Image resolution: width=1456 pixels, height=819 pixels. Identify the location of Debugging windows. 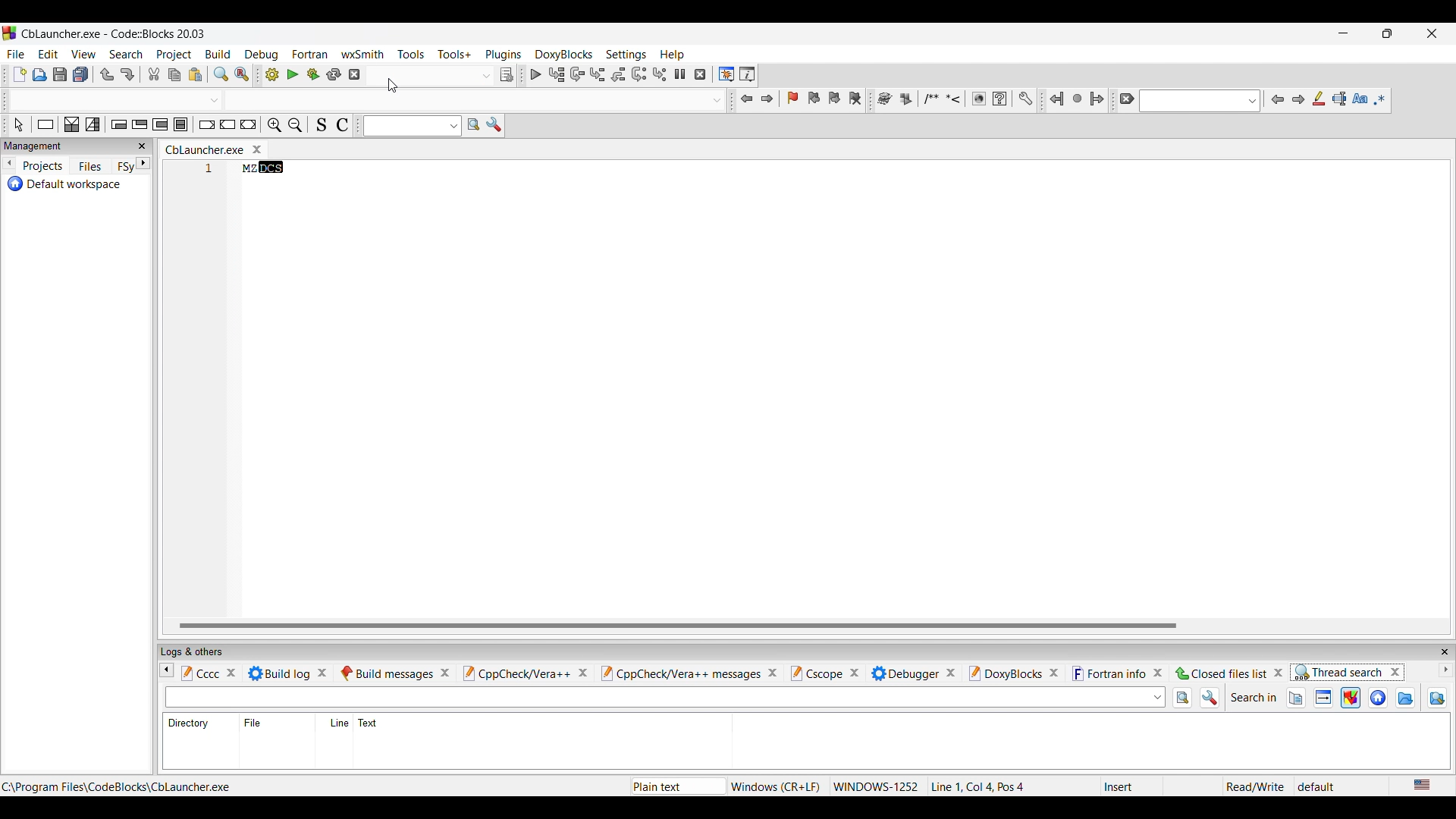
(726, 74).